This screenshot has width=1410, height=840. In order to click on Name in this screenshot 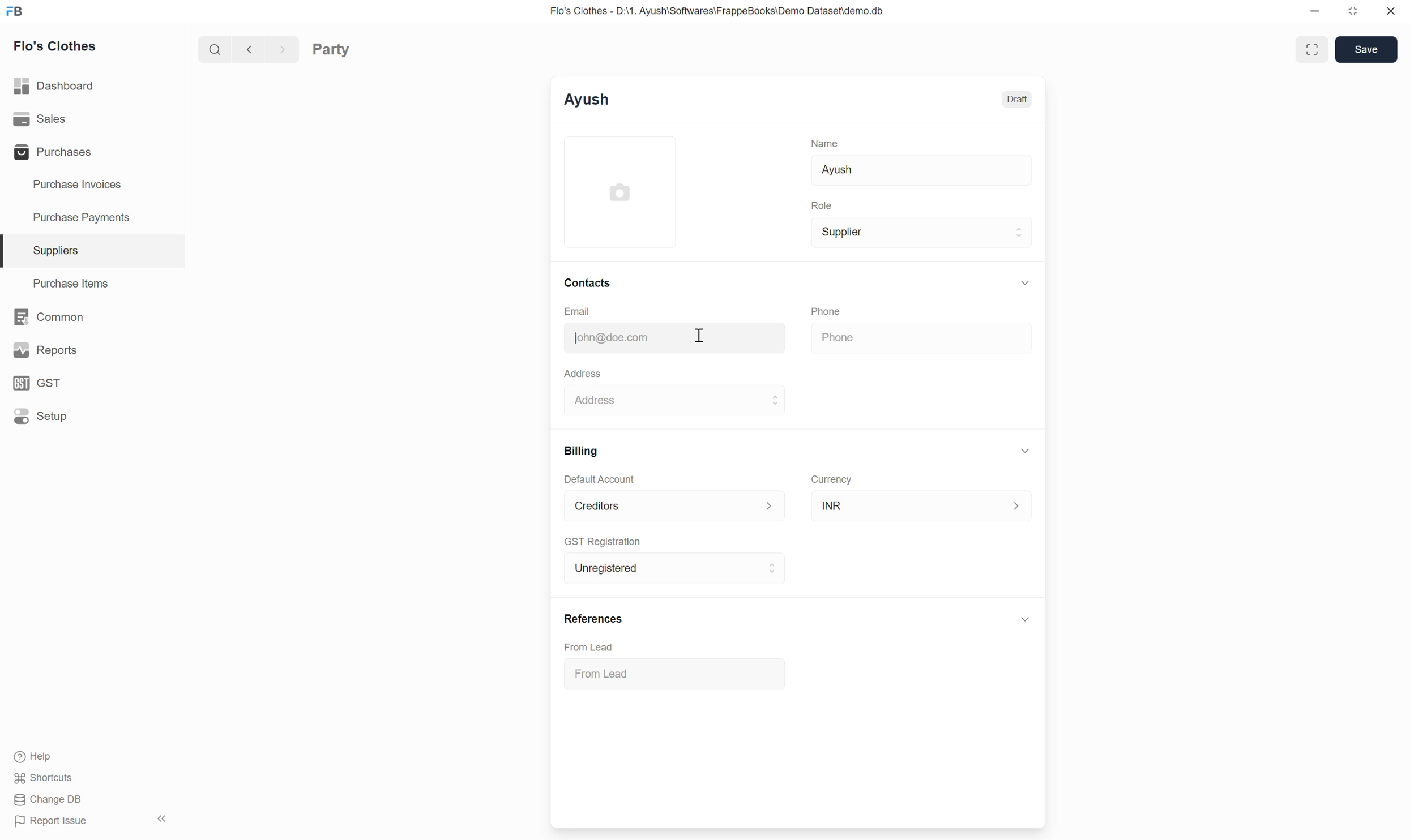, I will do `click(824, 143)`.